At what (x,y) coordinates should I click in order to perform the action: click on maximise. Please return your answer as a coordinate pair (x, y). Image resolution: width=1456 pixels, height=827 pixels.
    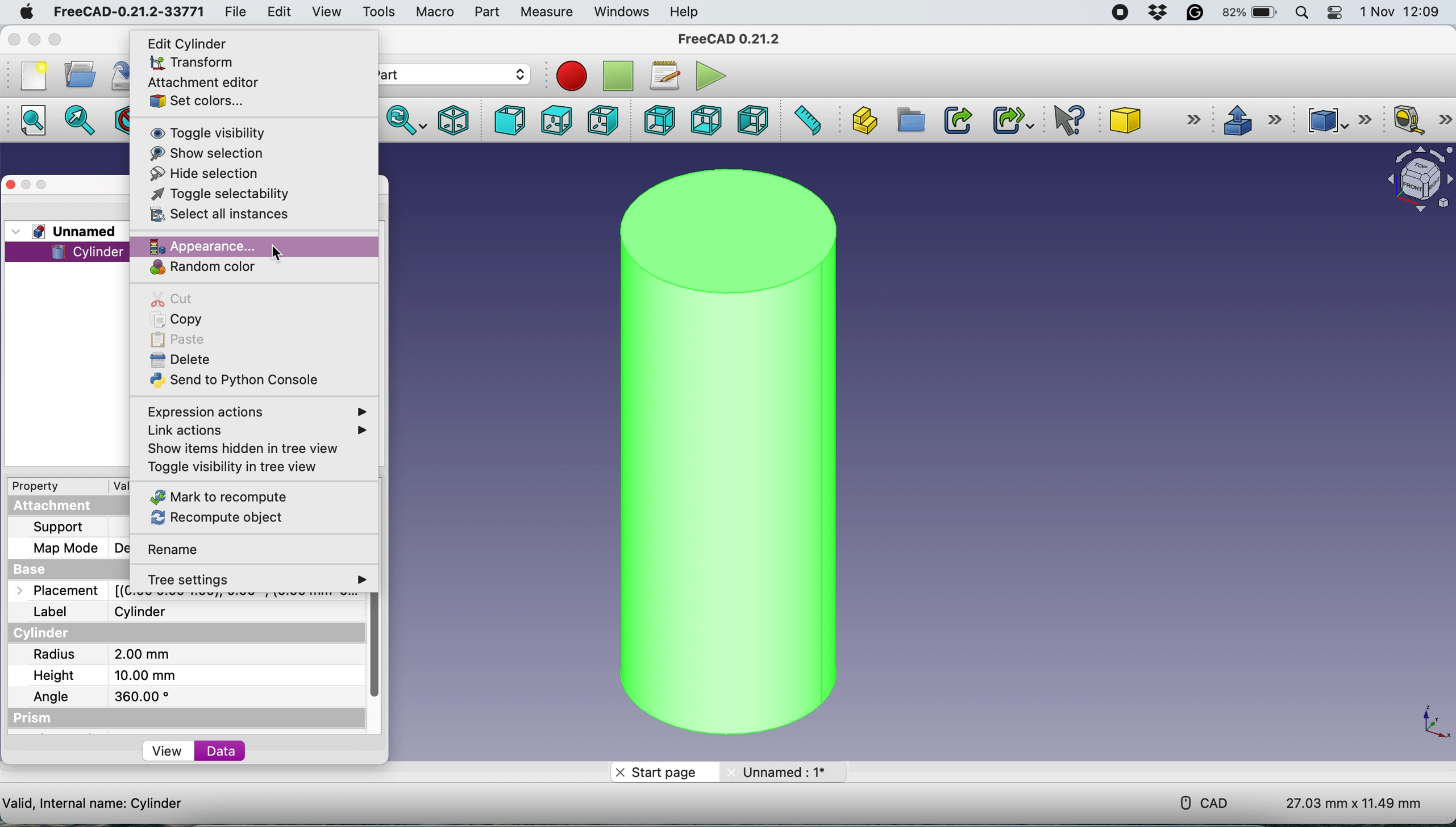
    Looking at the image, I should click on (59, 39).